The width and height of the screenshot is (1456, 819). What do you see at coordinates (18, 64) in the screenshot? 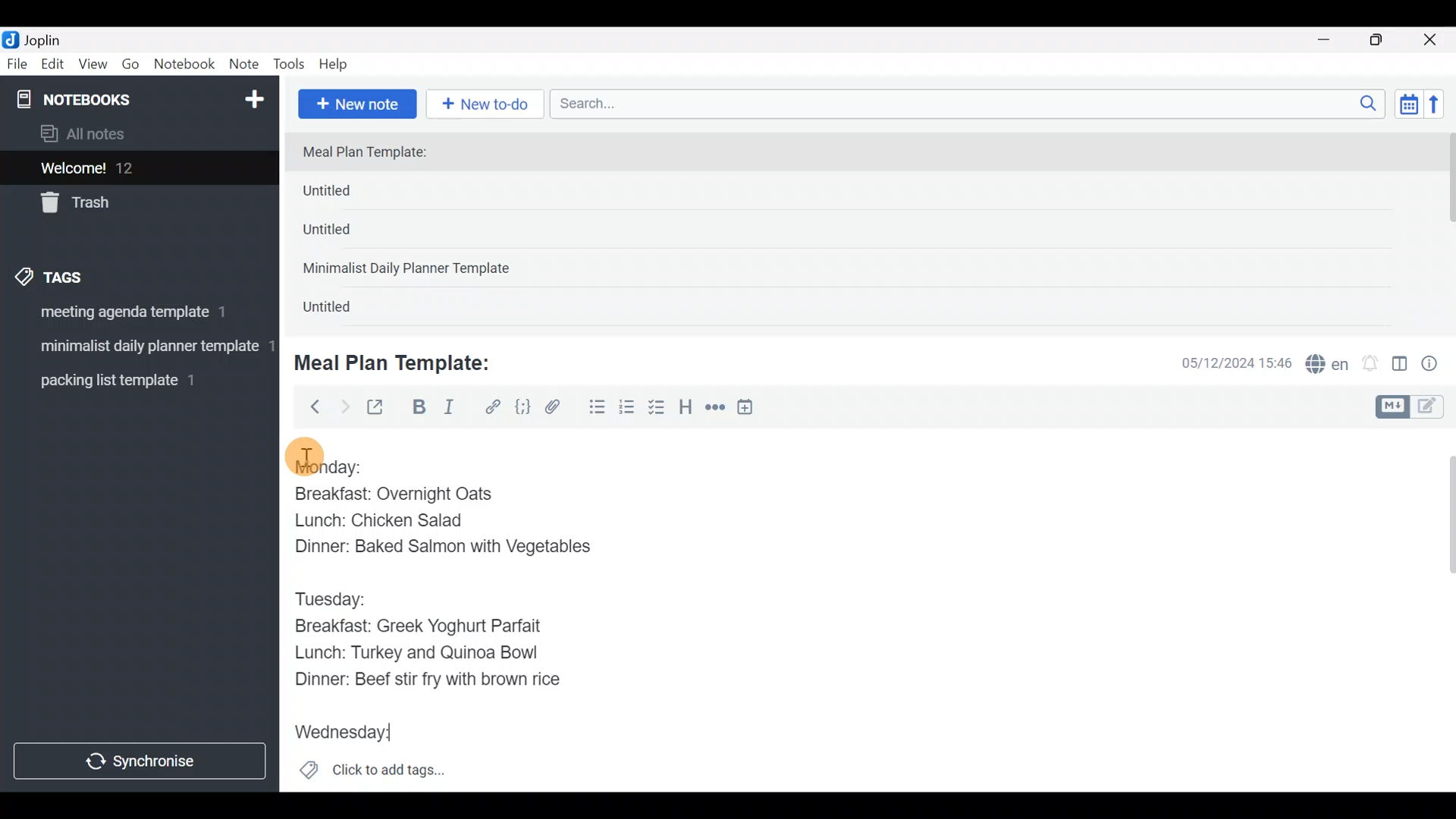
I see `File` at bounding box center [18, 64].